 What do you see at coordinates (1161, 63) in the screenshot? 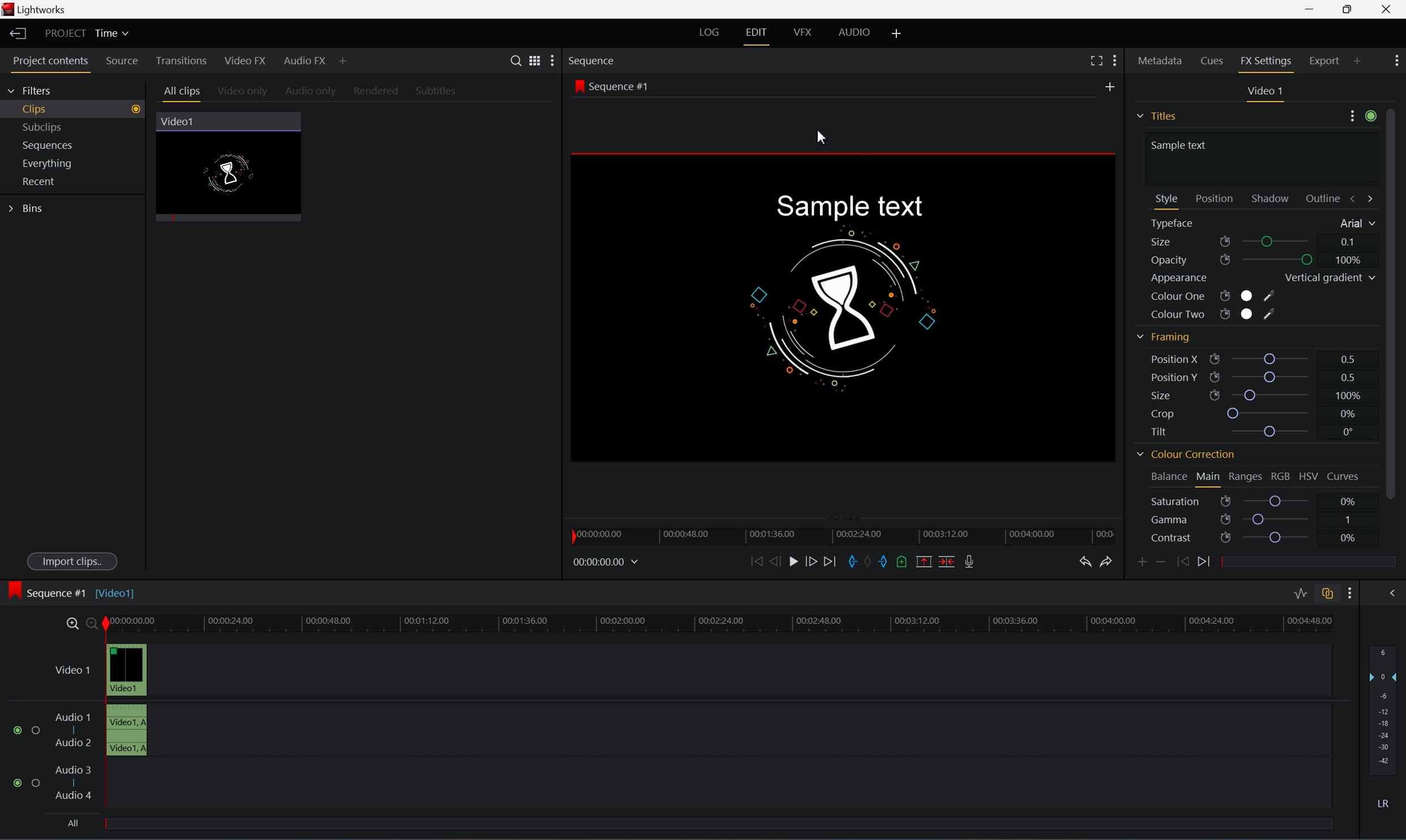
I see `metadata` at bounding box center [1161, 63].